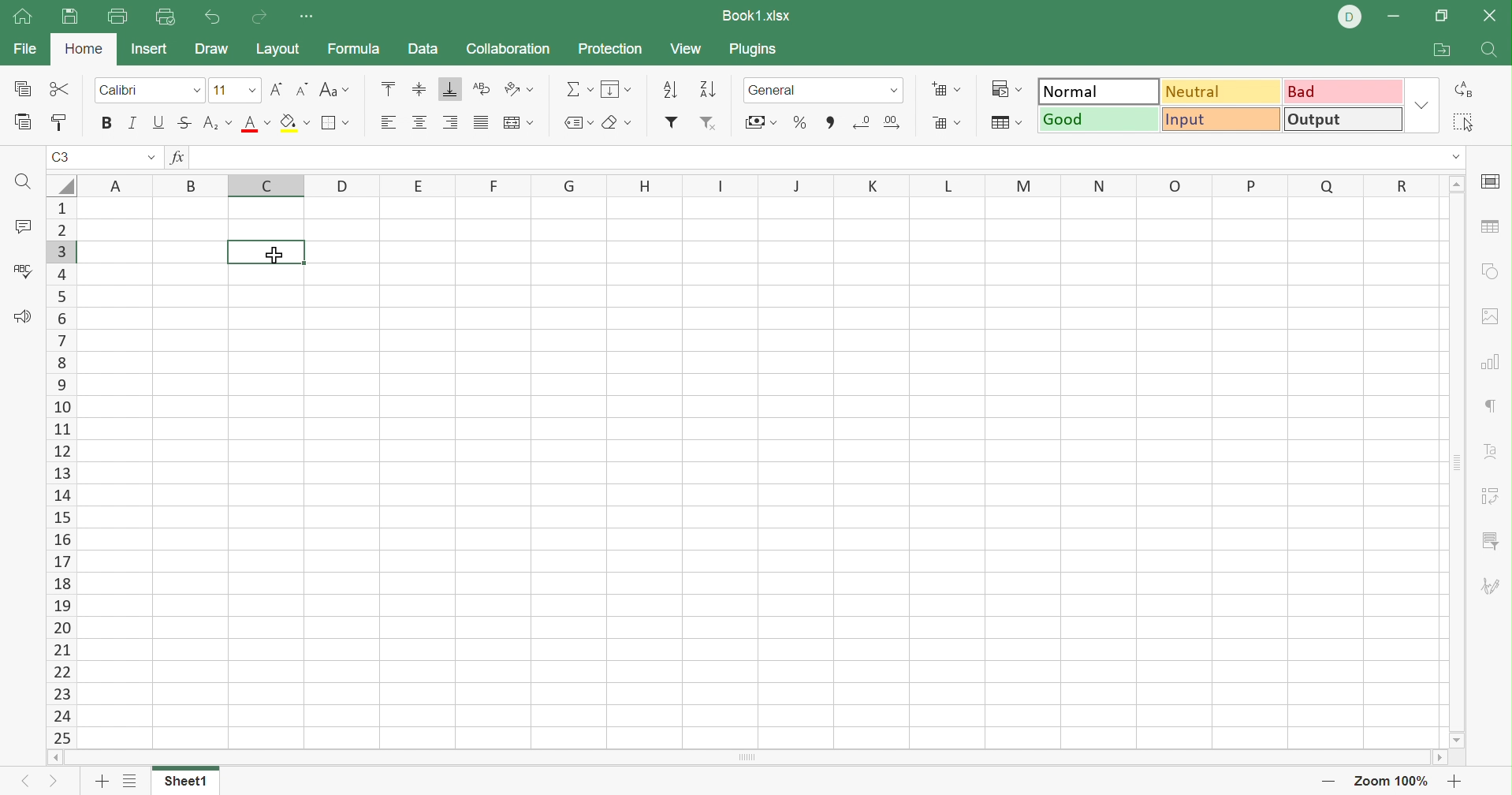  I want to click on Drop Down, so click(197, 90).